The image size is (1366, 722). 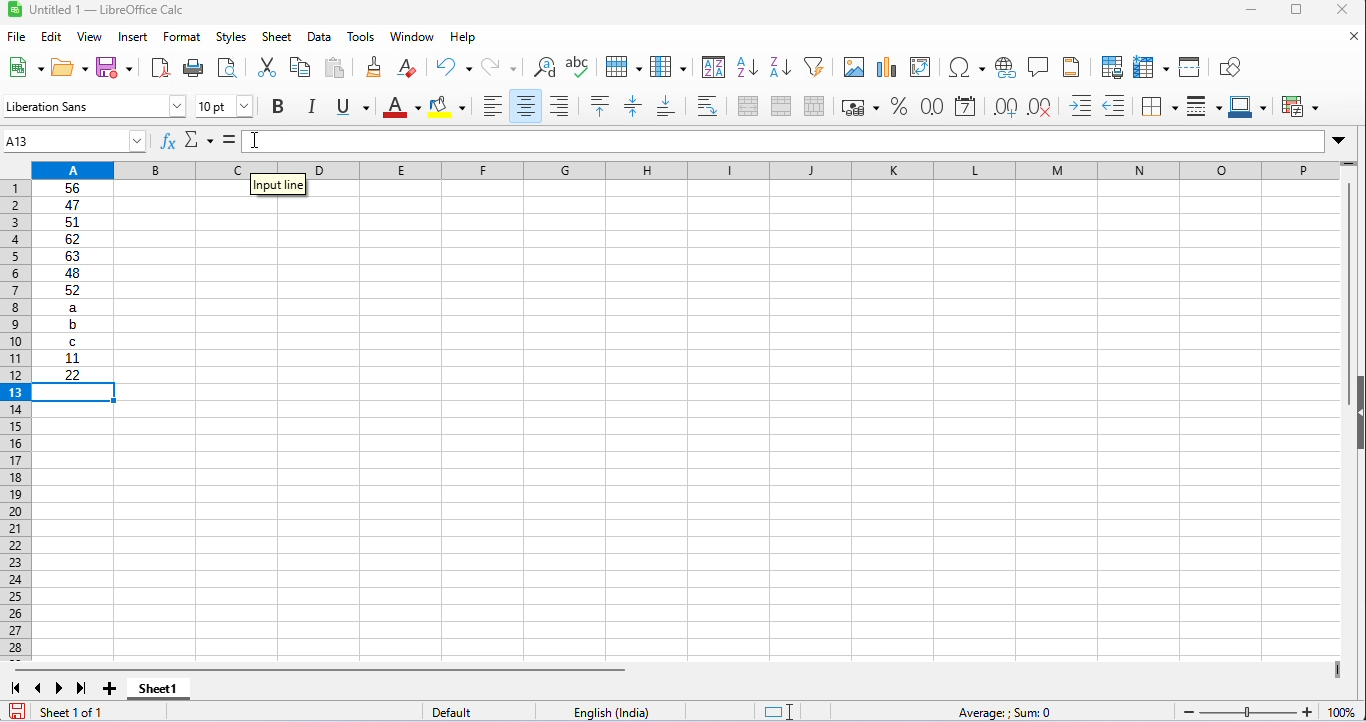 What do you see at coordinates (1351, 35) in the screenshot?
I see `close` at bounding box center [1351, 35].